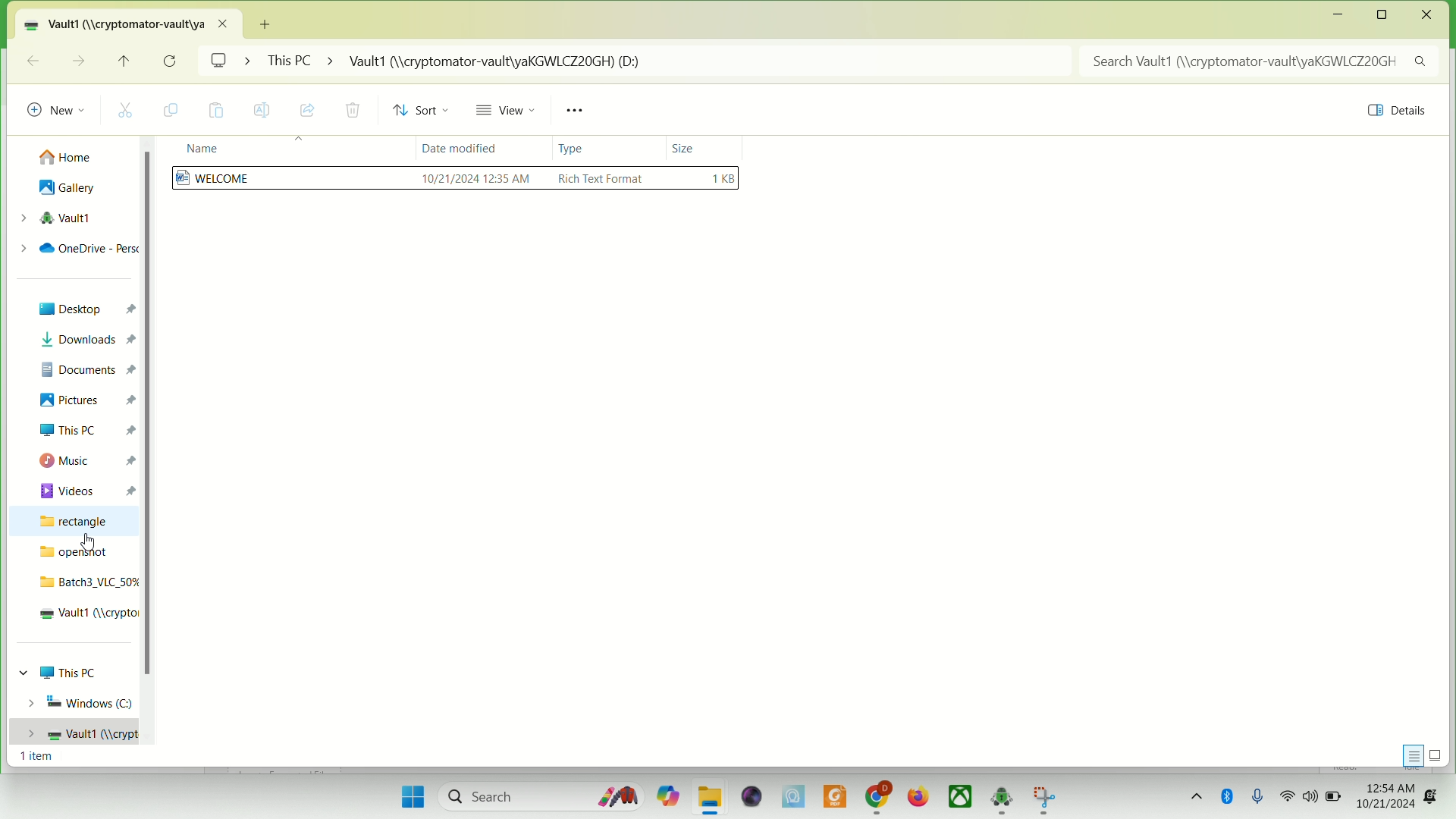  Describe the element at coordinates (1229, 796) in the screenshot. I see `Bluetooth` at that location.